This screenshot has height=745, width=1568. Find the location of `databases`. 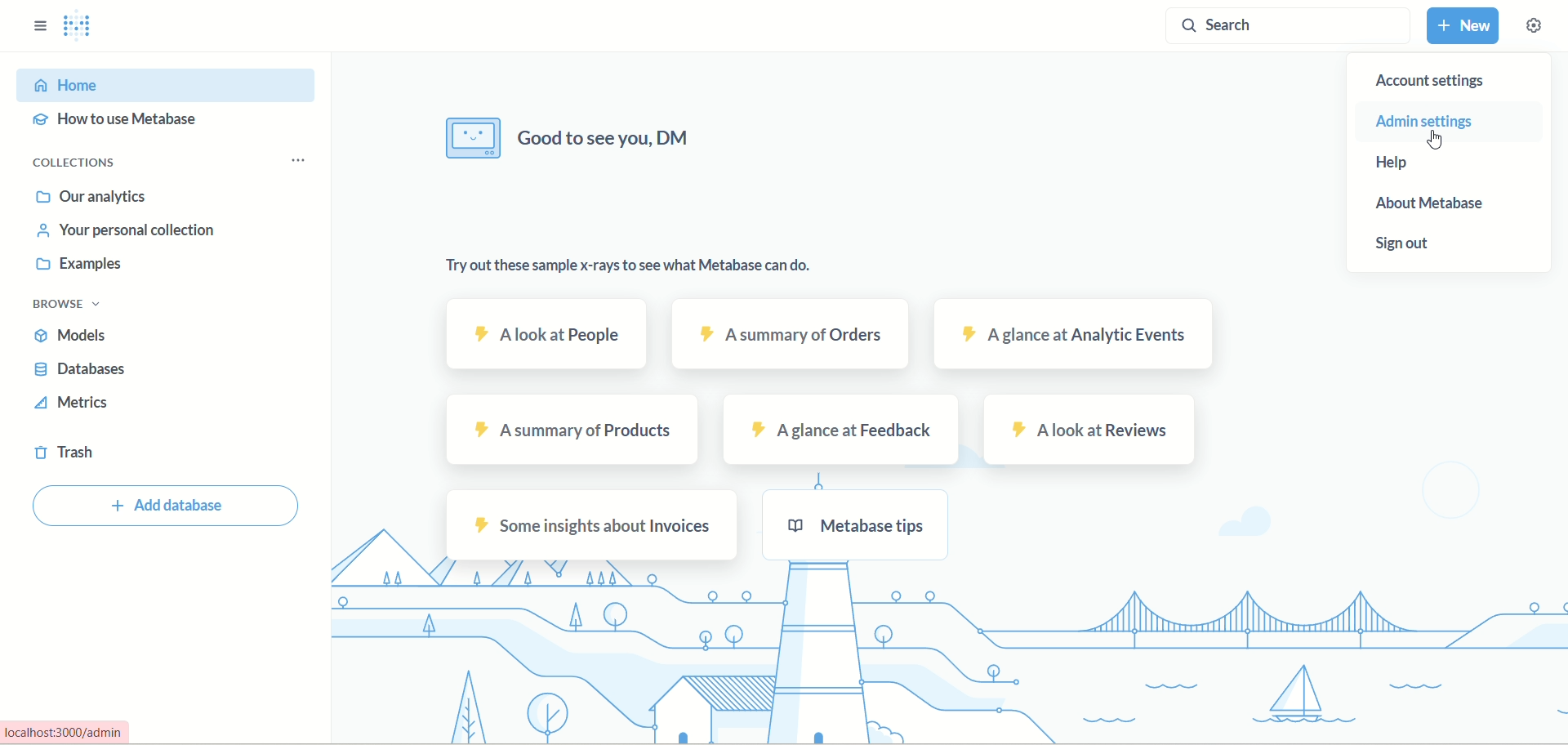

databases is located at coordinates (87, 373).